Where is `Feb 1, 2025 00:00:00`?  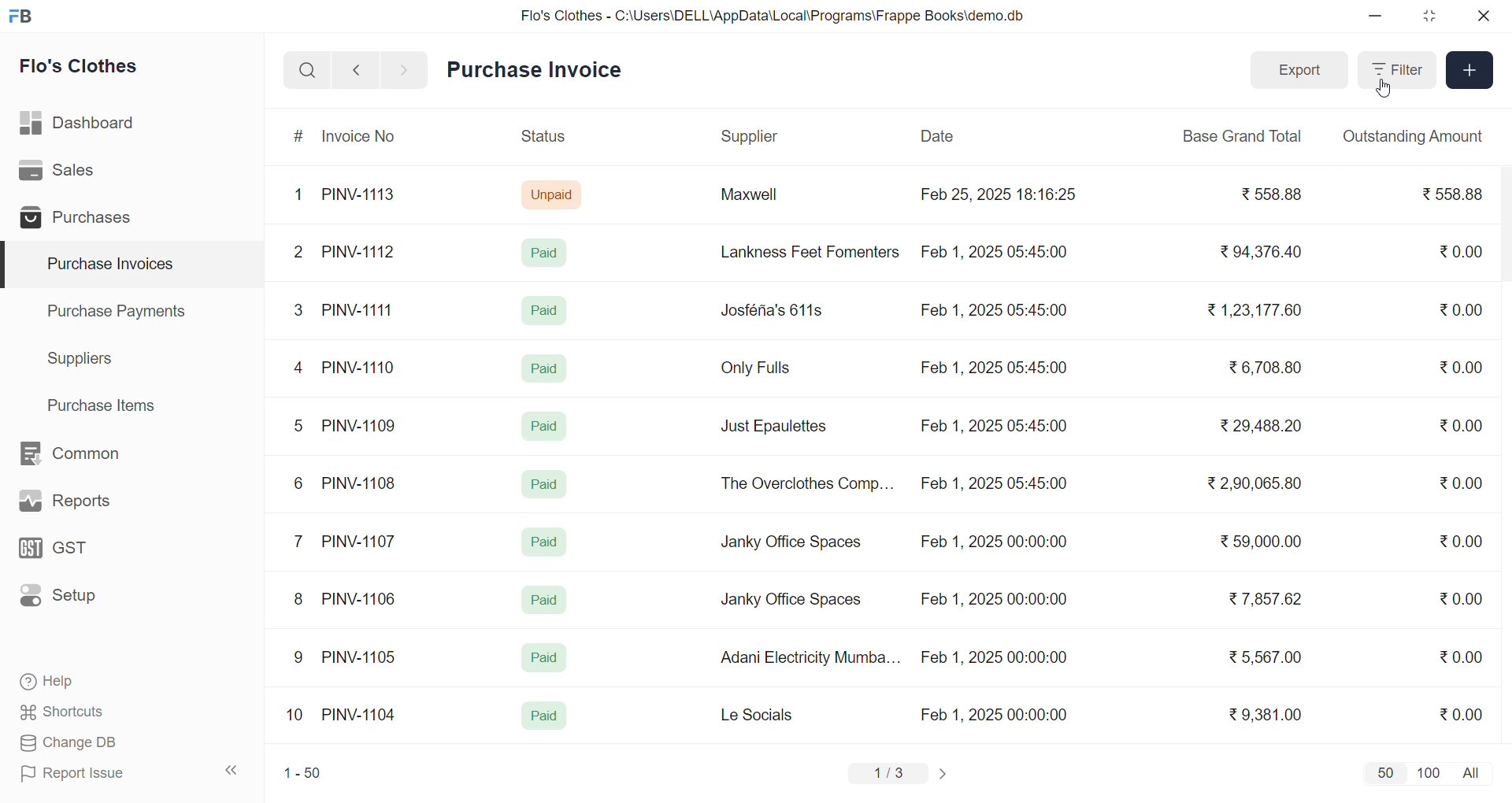 Feb 1, 2025 00:00:00 is located at coordinates (993, 544).